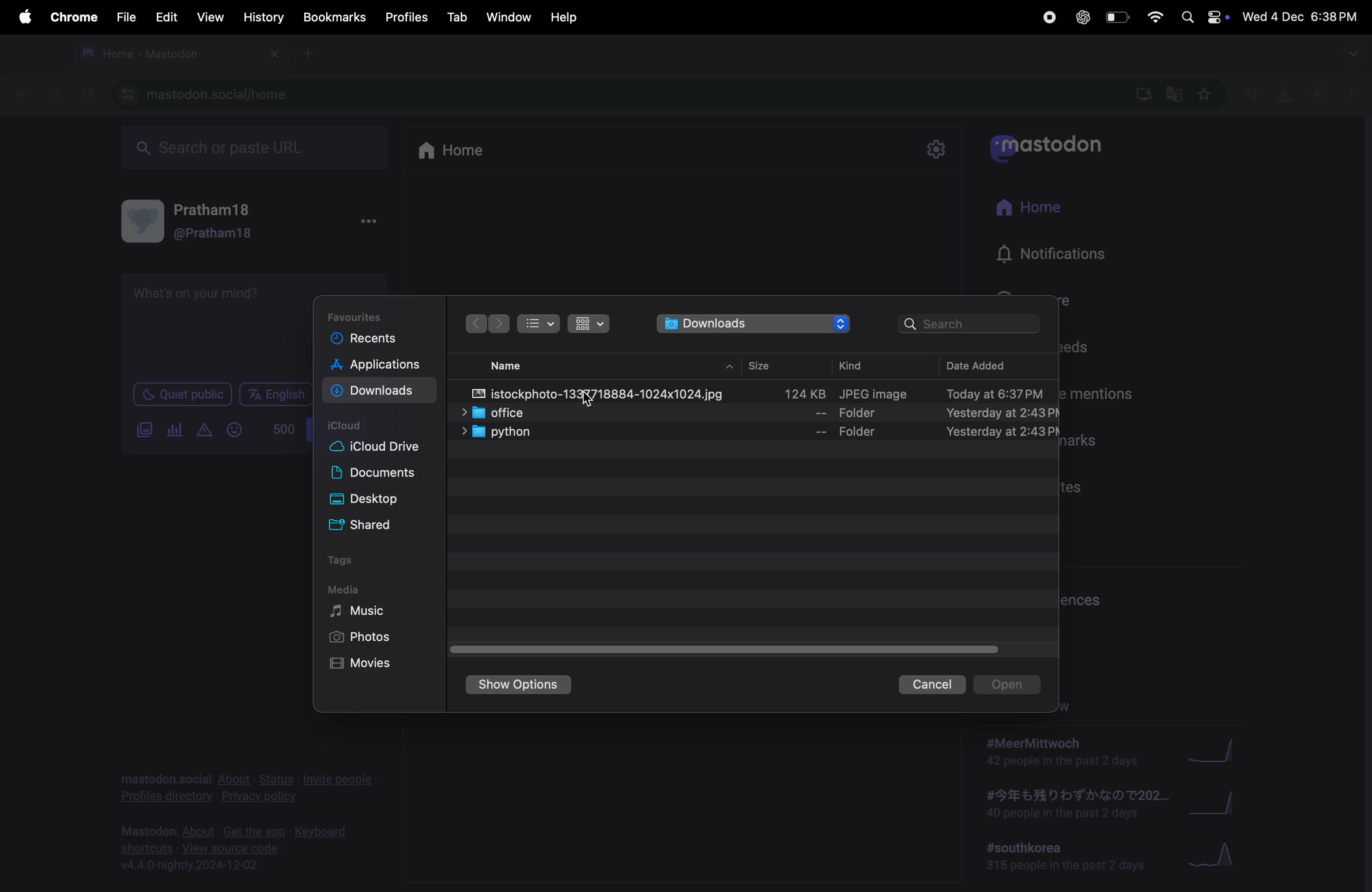 The width and height of the screenshot is (1372, 892). What do you see at coordinates (1280, 92) in the screenshot?
I see `download` at bounding box center [1280, 92].